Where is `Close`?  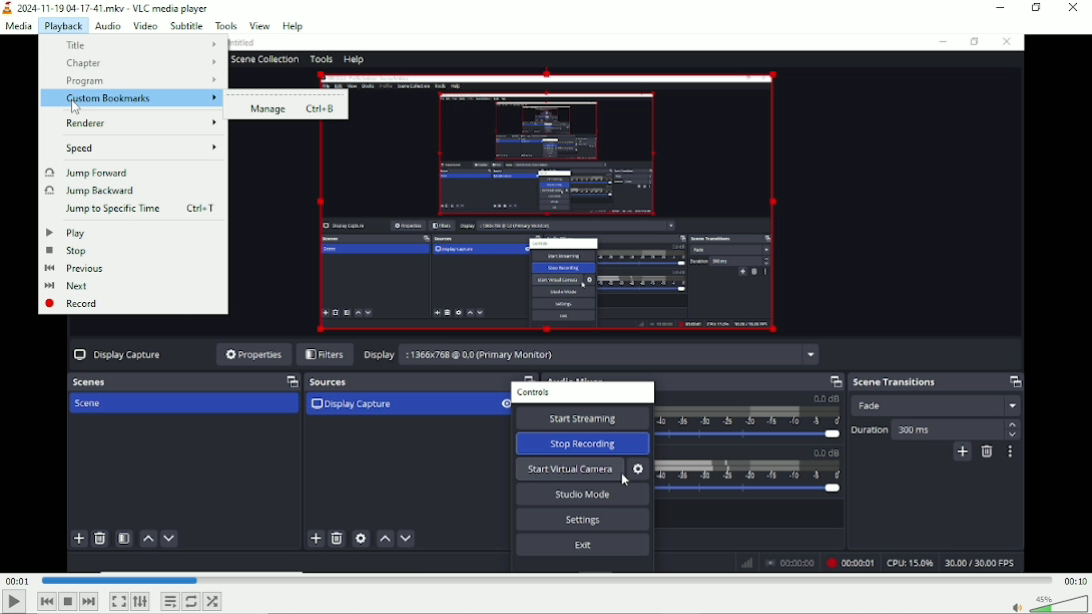 Close is located at coordinates (1073, 9).